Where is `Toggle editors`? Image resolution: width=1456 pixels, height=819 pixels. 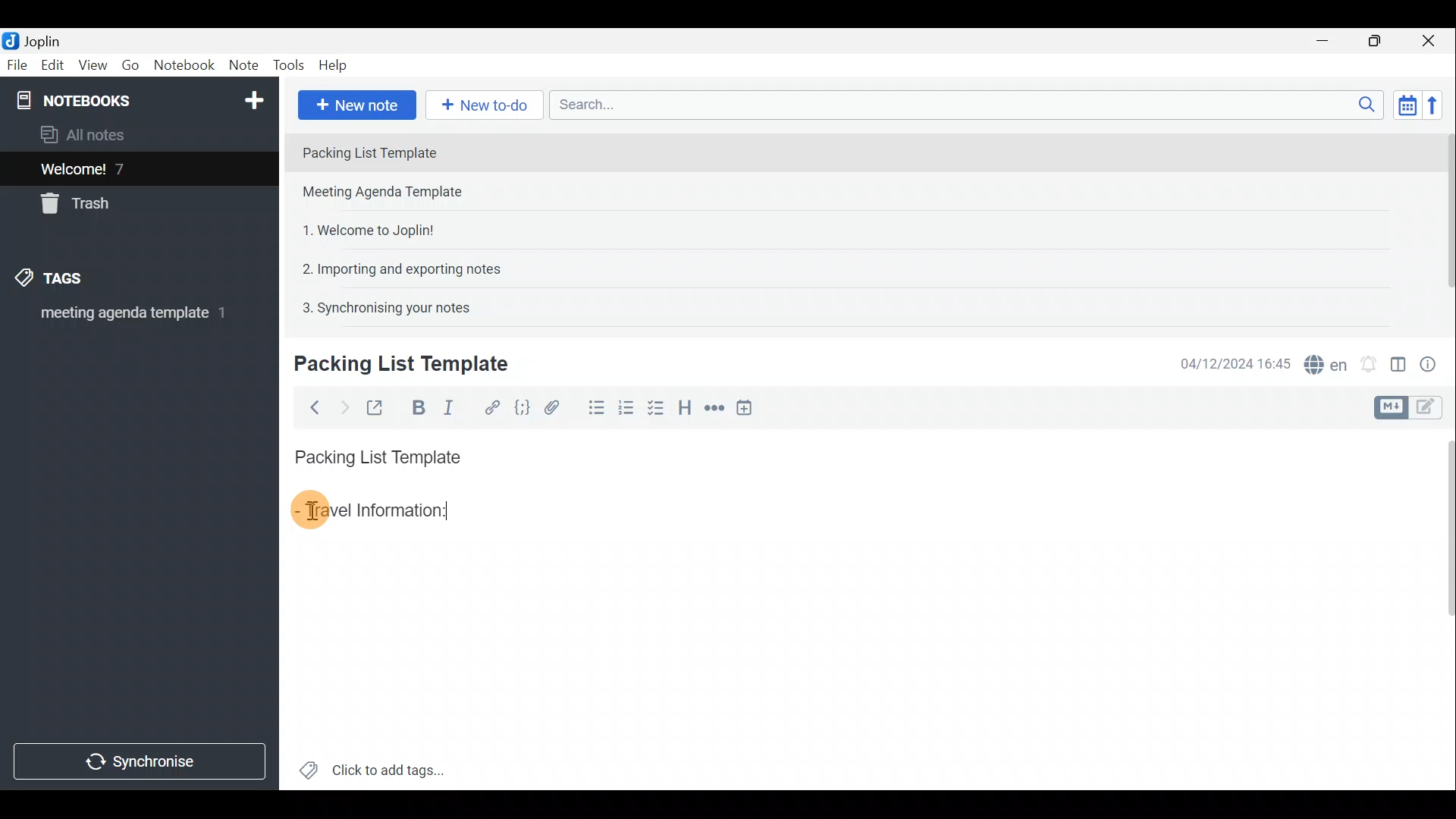 Toggle editors is located at coordinates (1393, 406).